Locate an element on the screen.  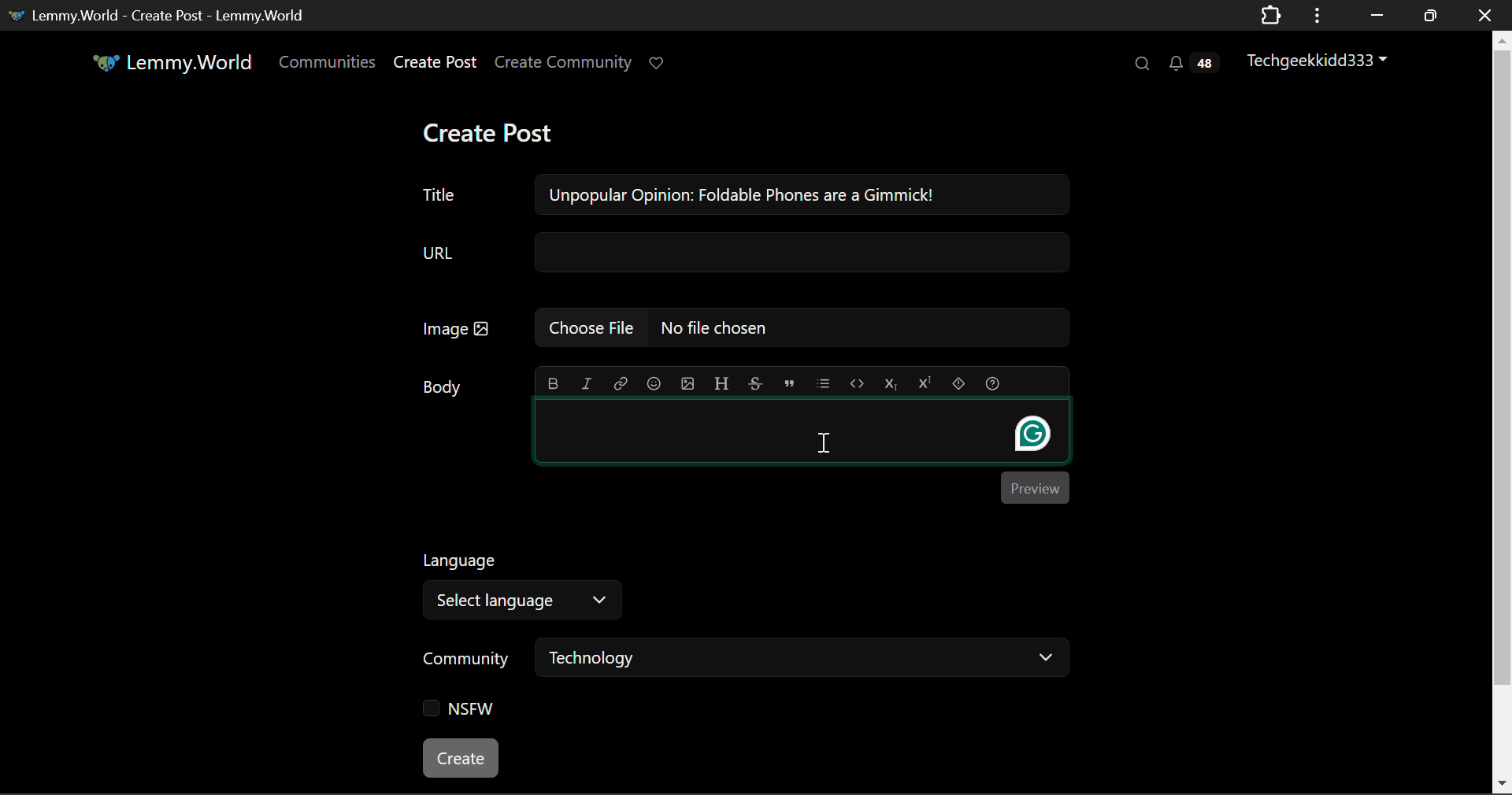
Search  is located at coordinates (1140, 63).